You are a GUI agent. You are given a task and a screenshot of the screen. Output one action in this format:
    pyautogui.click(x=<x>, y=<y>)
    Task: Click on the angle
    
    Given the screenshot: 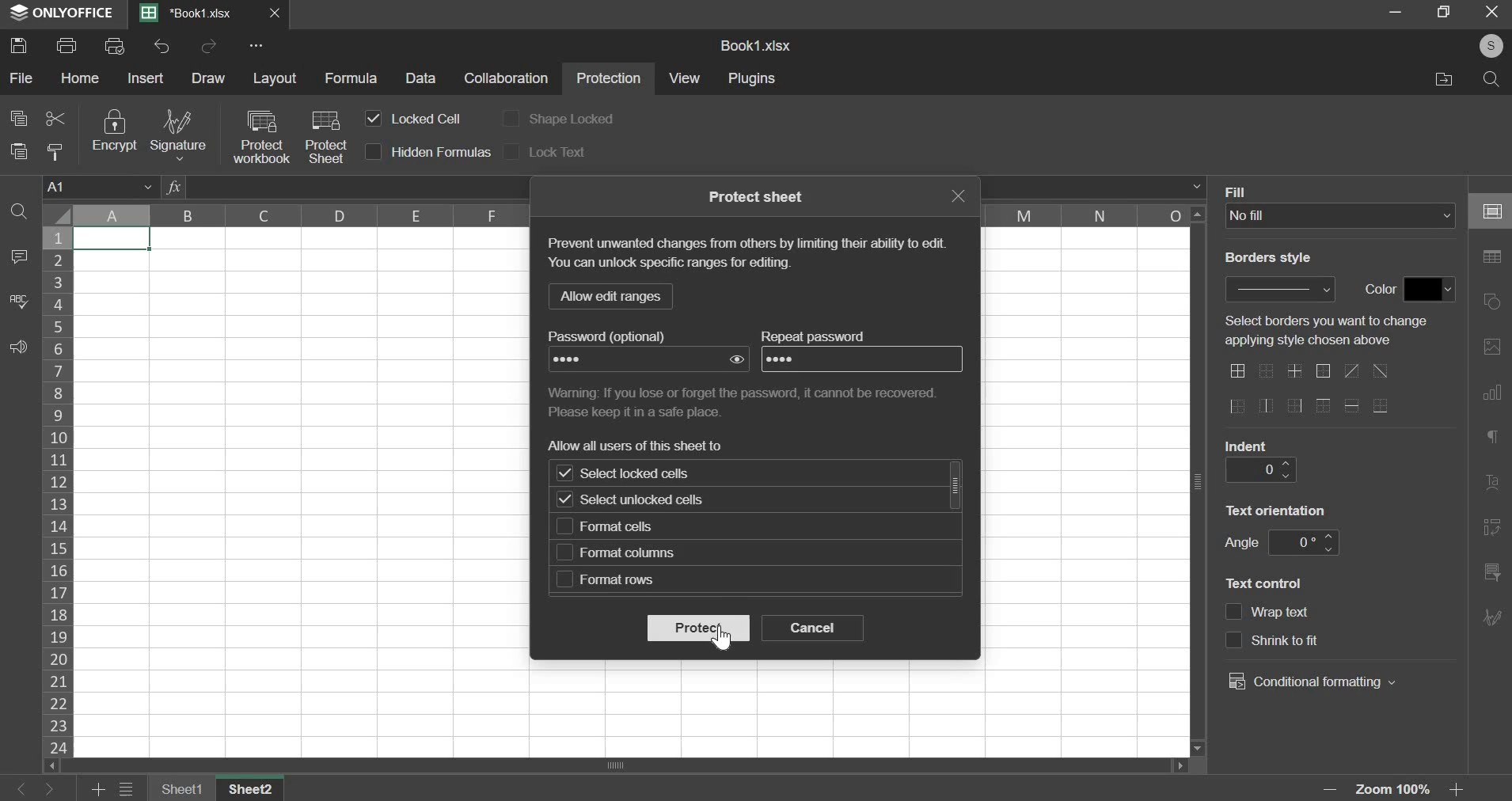 What is the action you would take?
    pyautogui.click(x=1301, y=543)
    